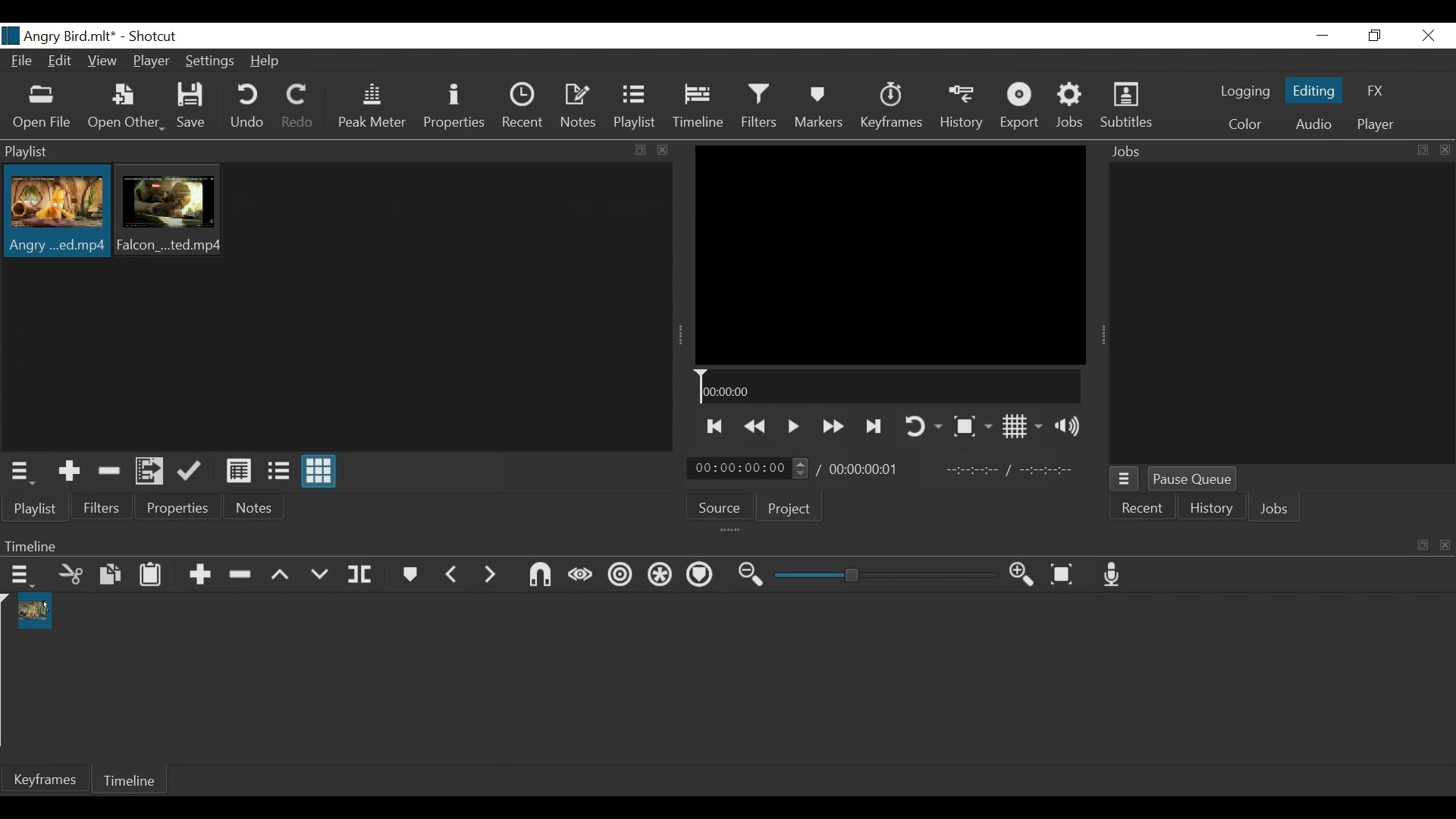 This screenshot has height=819, width=1456. I want to click on Timeline, so click(131, 779).